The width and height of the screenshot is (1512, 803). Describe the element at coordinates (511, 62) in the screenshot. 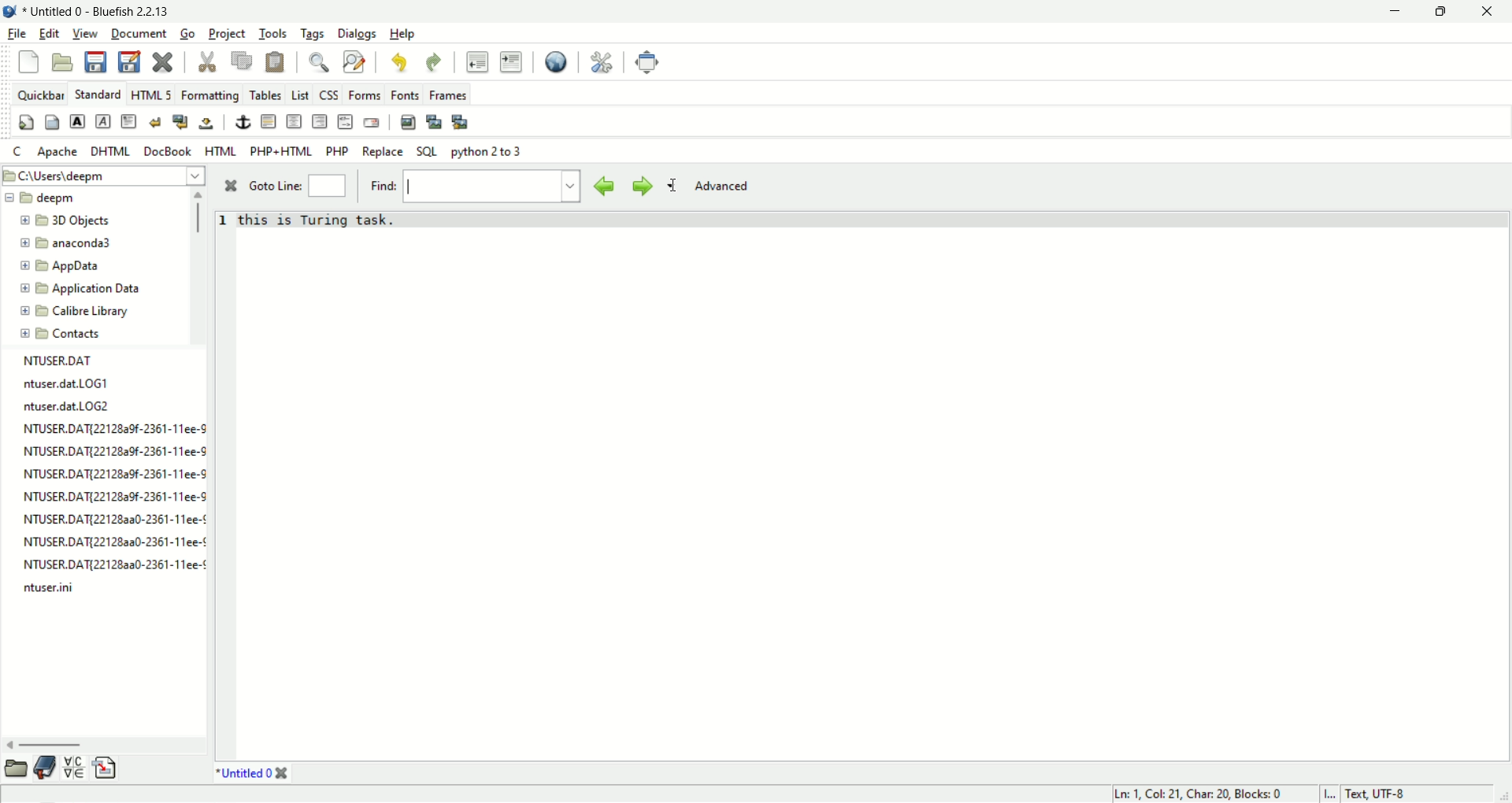

I see `indent` at that location.